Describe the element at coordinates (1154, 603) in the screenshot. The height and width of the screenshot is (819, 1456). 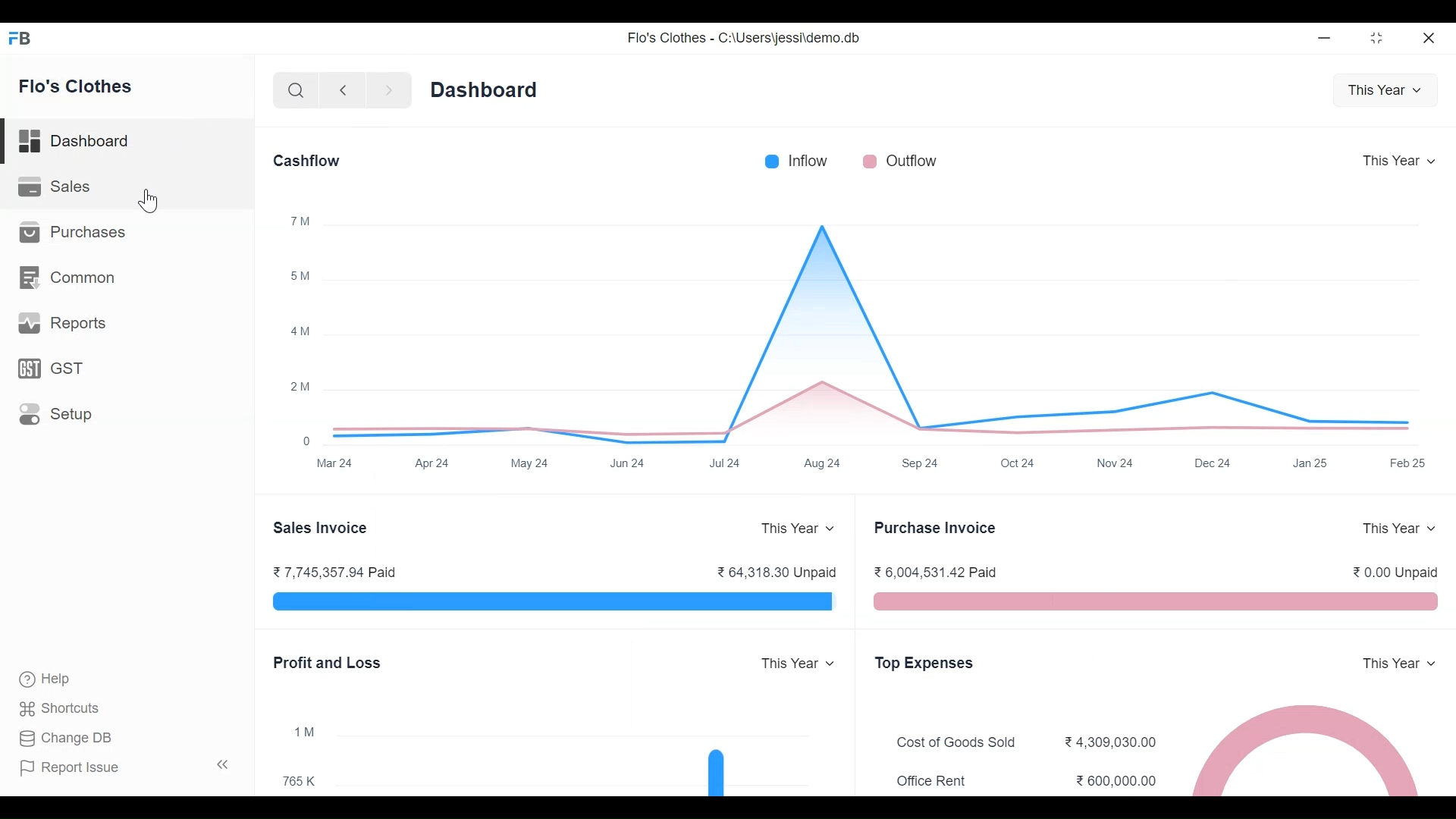
I see `The Purchase Invoice section shows the total outstanding amount that Flo's Company have to pay to their suppliers for  purchases` at that location.